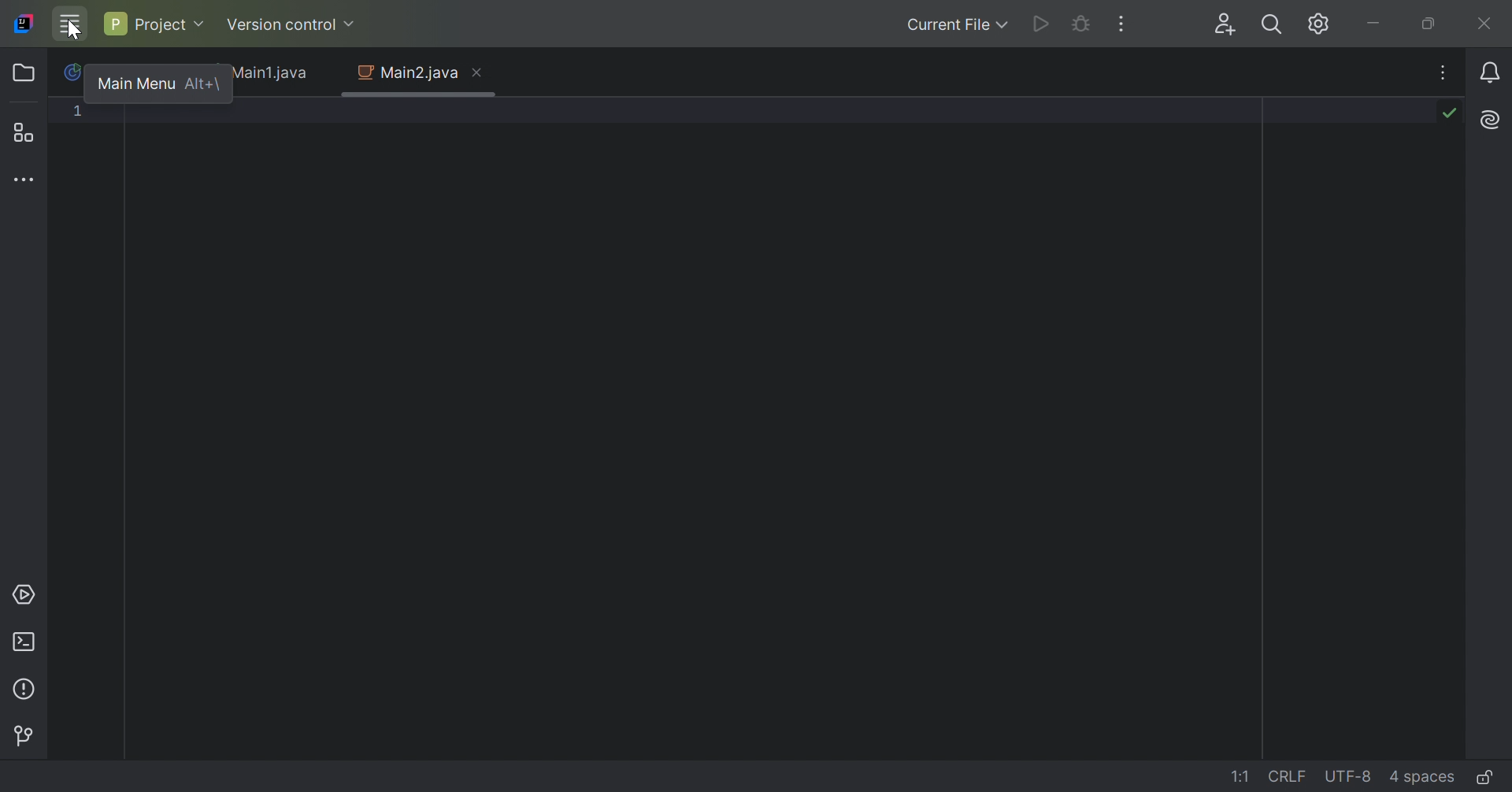 The image size is (1512, 792). I want to click on Recent Files, Tab Actions, and More, so click(1442, 76).